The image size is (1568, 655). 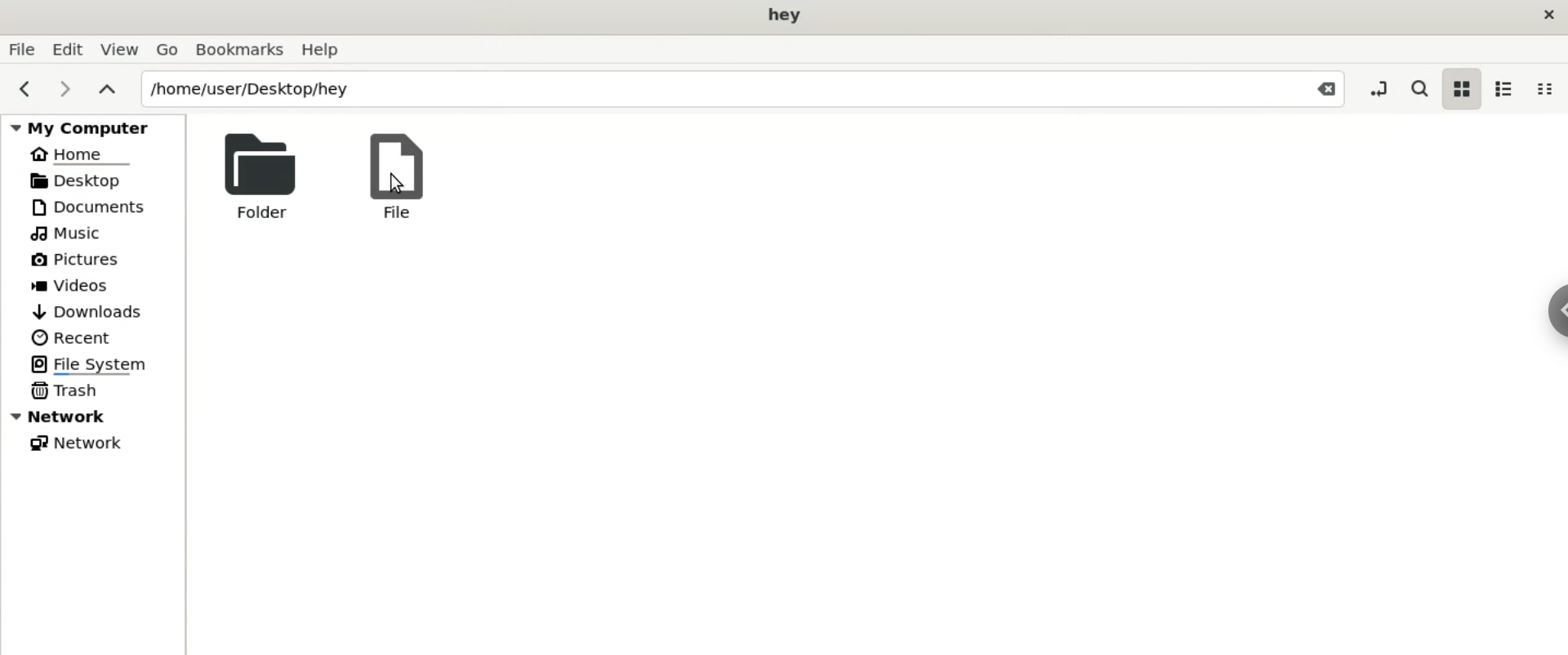 I want to click on help, so click(x=325, y=51).